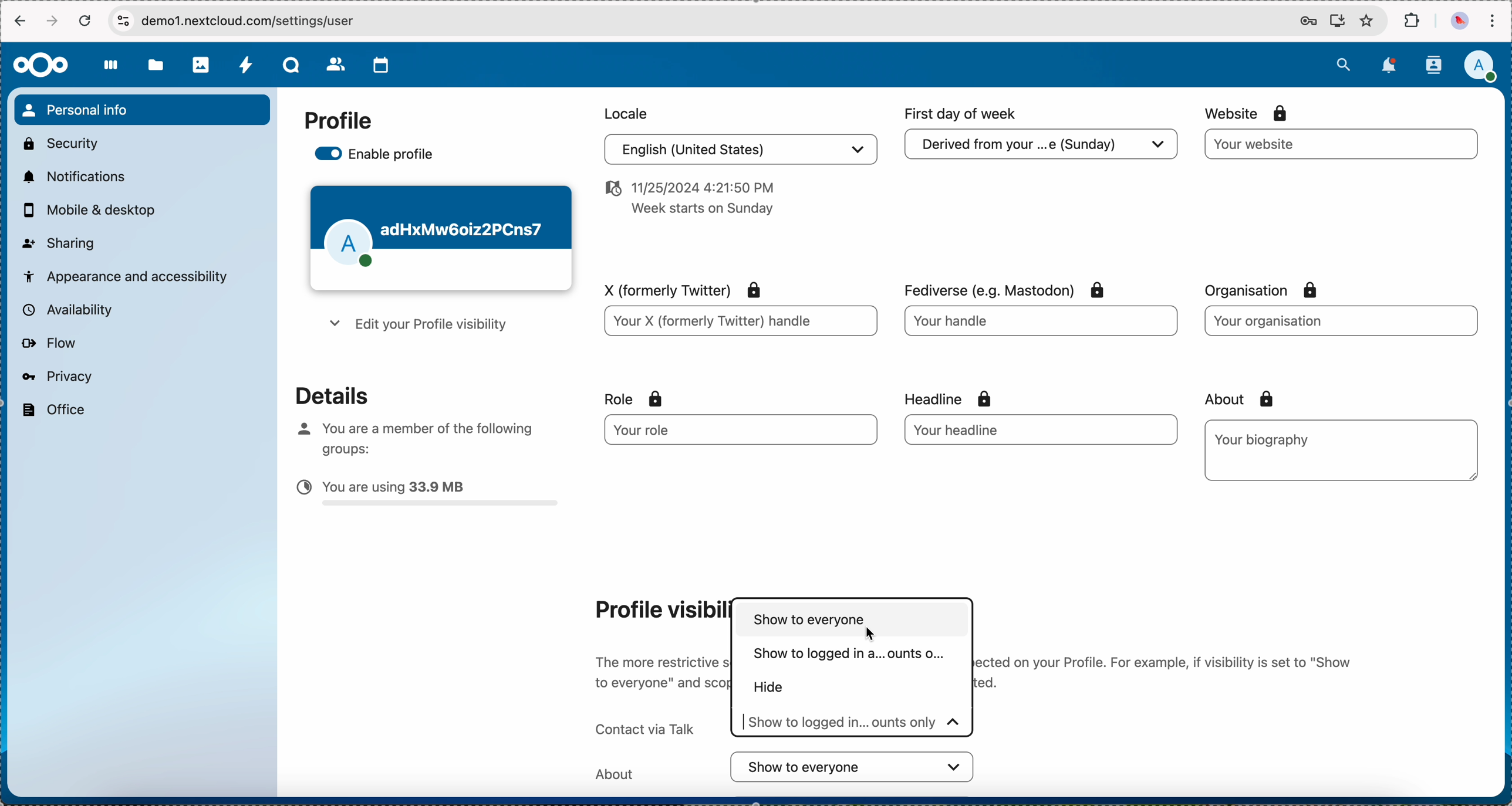 This screenshot has height=806, width=1512. I want to click on files, so click(156, 67).